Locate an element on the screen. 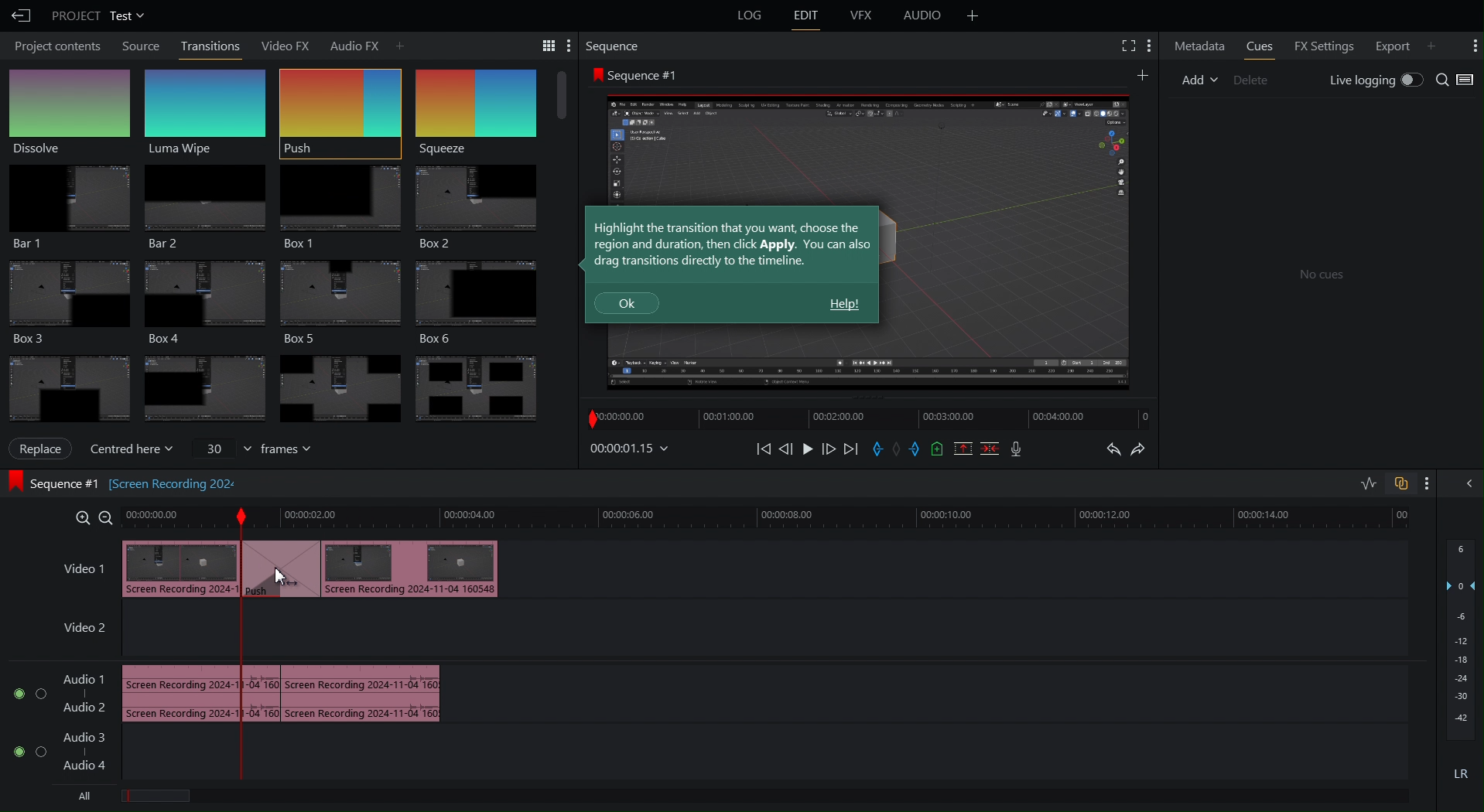 The image size is (1484, 812). audio track 4 is located at coordinates (92, 767).